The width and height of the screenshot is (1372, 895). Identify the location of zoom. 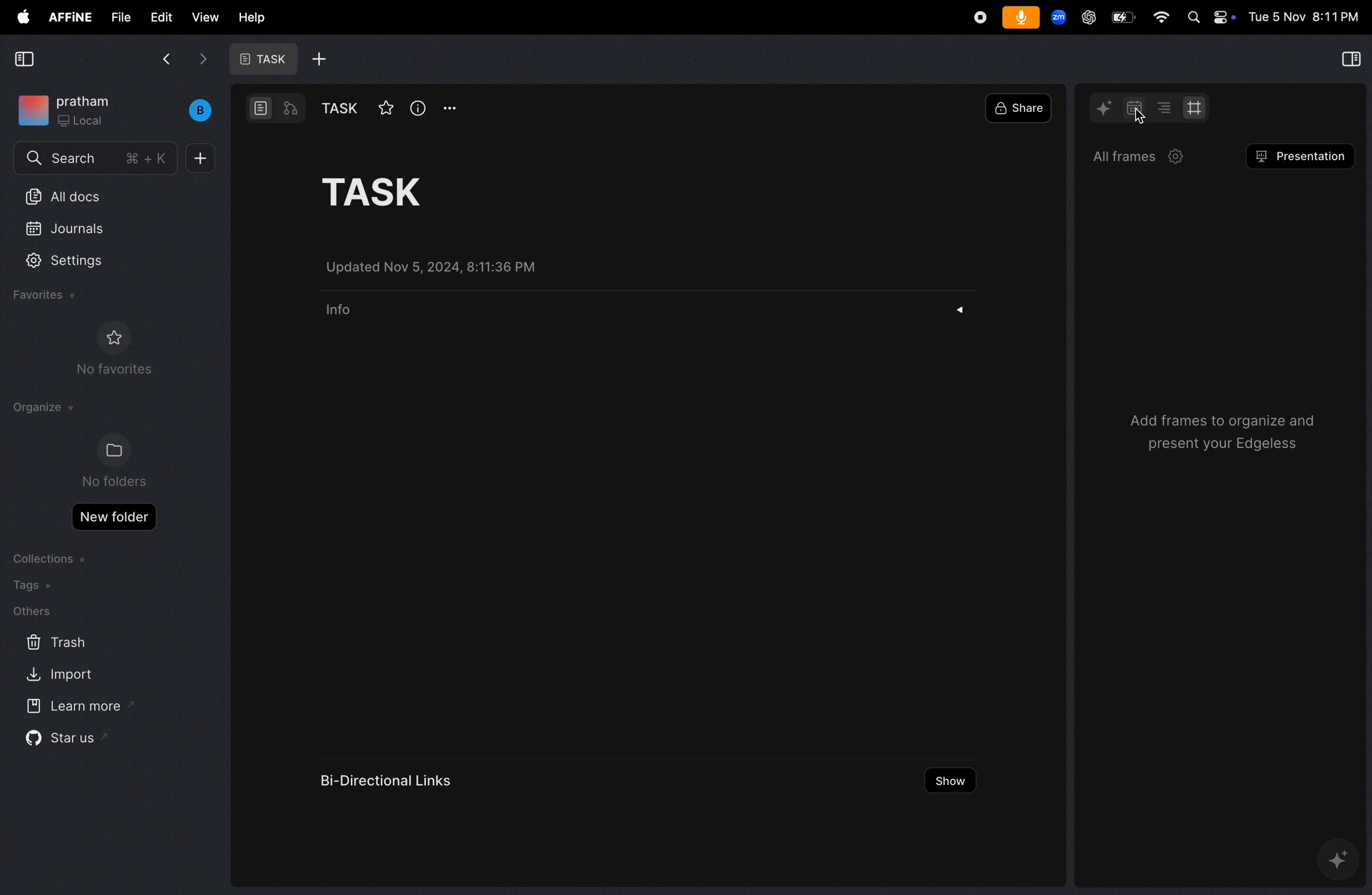
(1058, 19).